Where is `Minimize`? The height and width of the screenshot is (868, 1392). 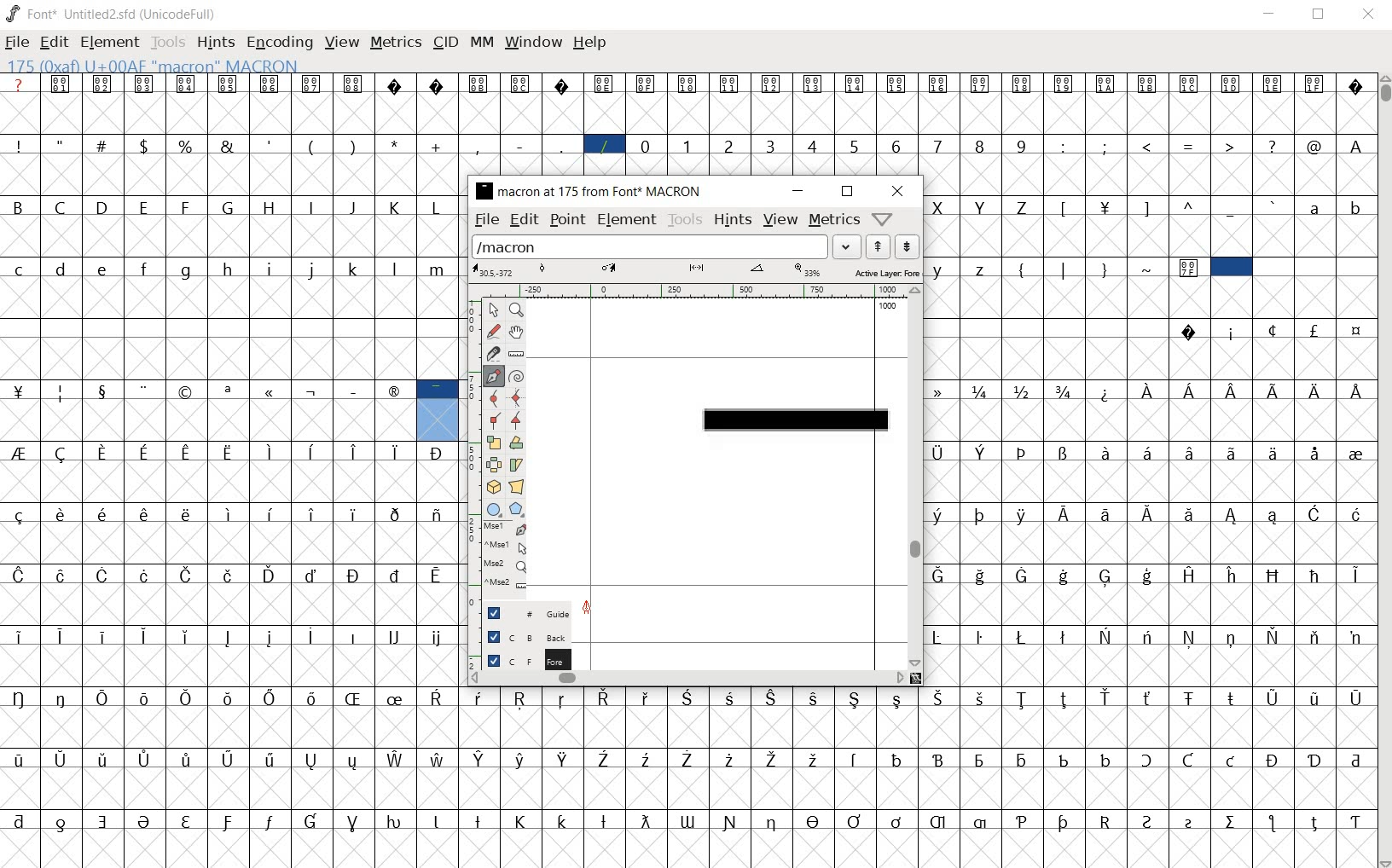 Minimize is located at coordinates (1270, 15).